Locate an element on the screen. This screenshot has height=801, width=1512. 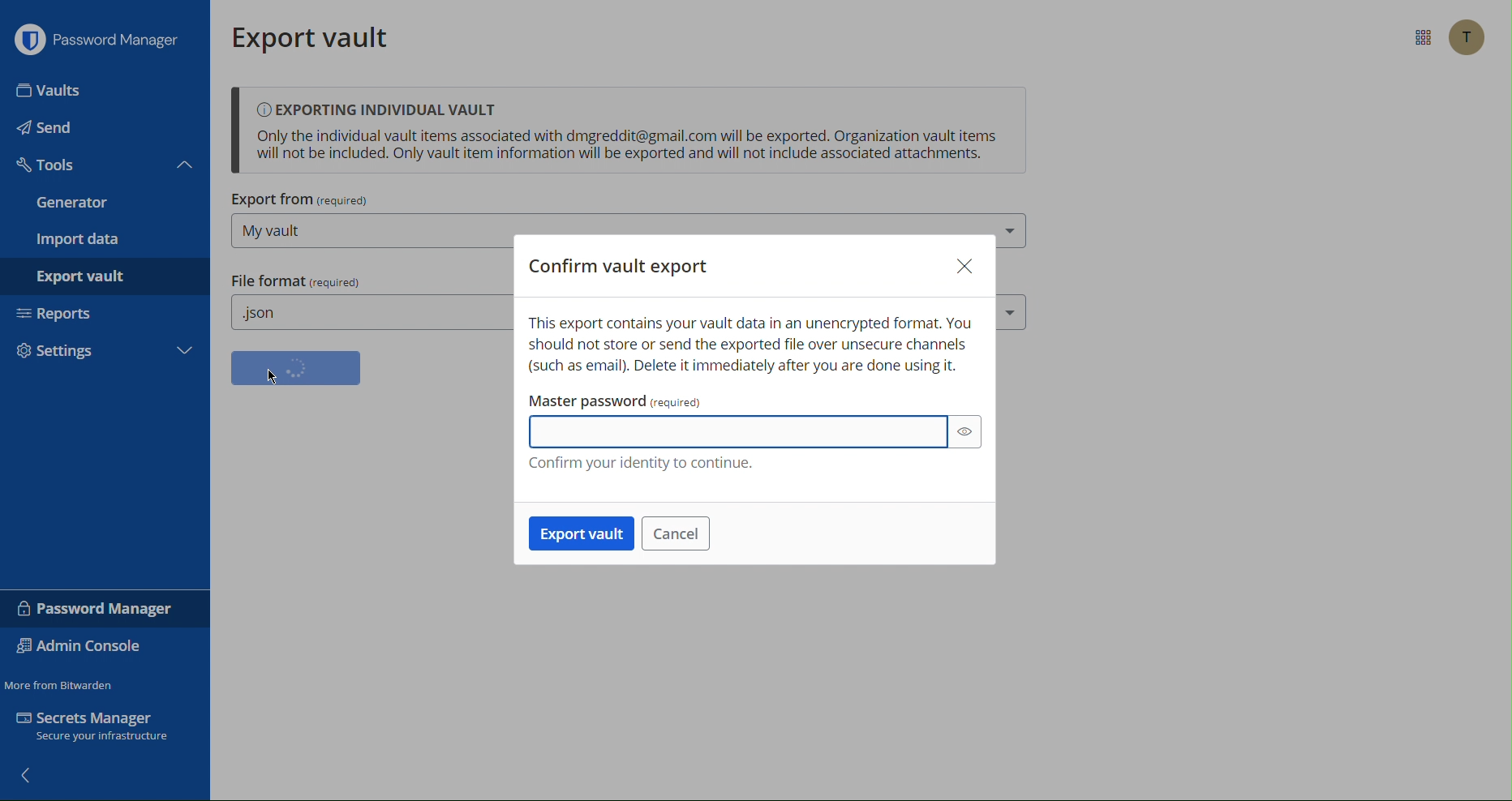
Export From is located at coordinates (301, 201).